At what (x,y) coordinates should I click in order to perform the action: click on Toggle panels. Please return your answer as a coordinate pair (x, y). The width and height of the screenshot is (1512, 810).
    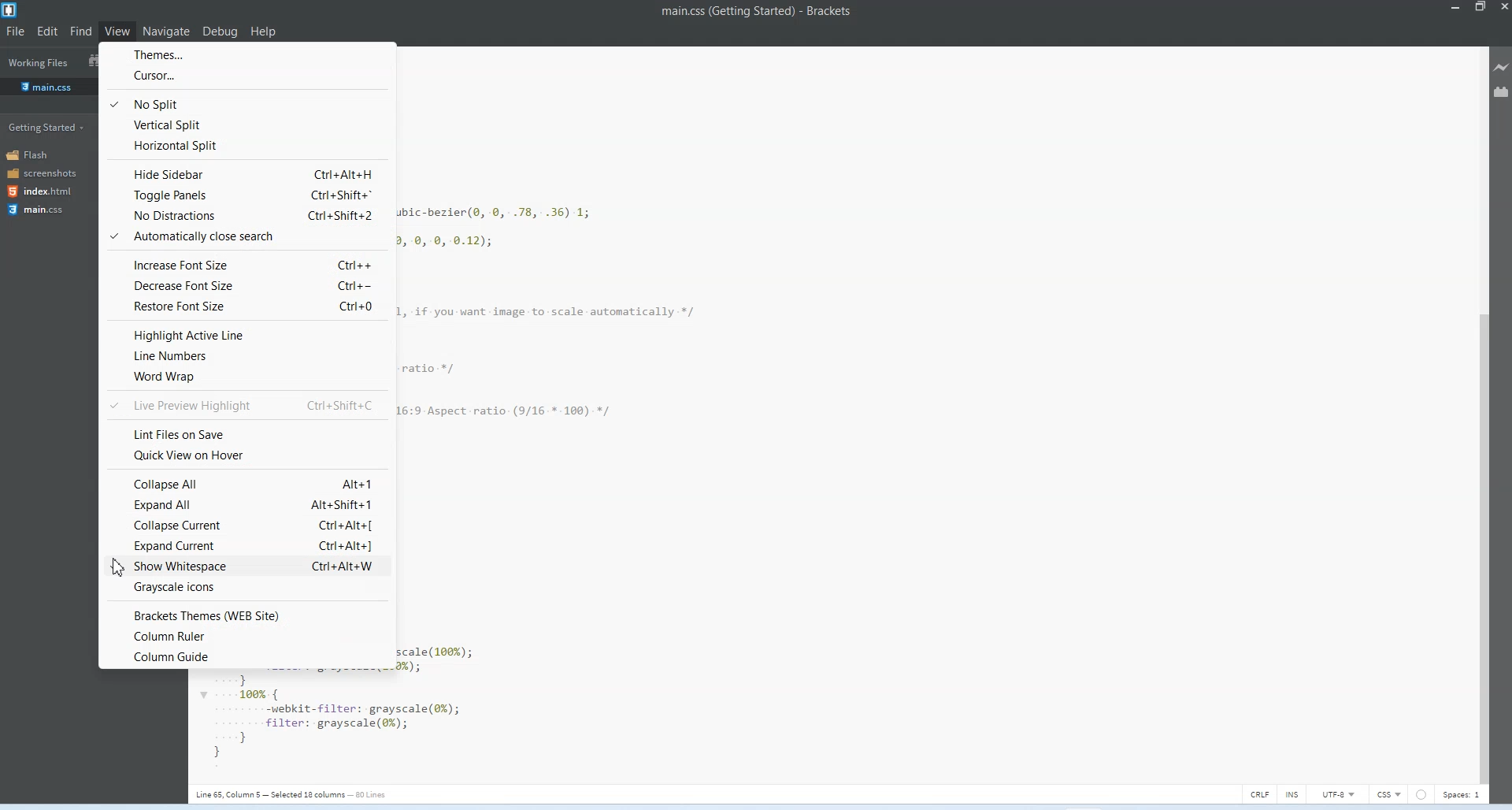
    Looking at the image, I should click on (245, 195).